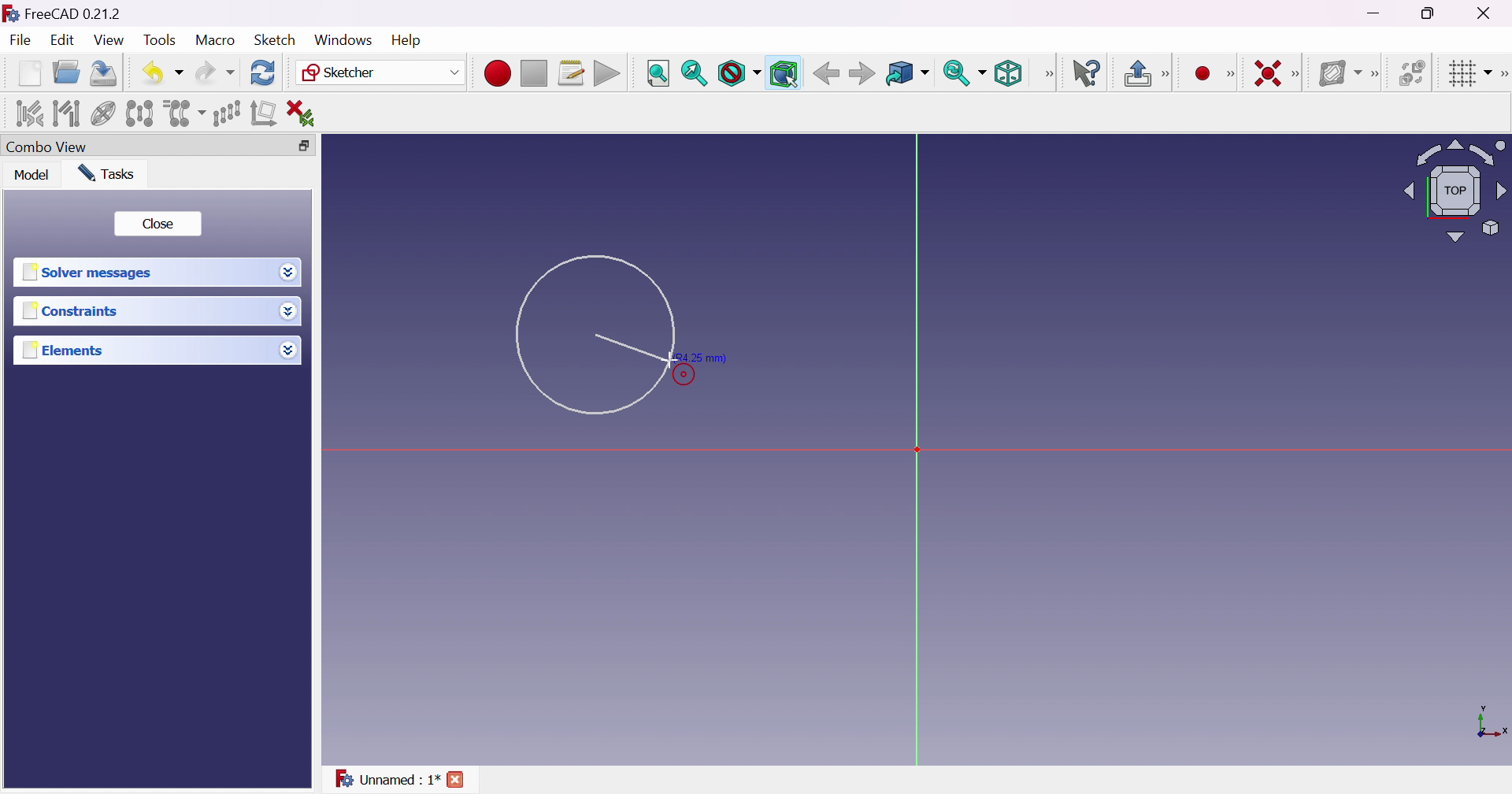 This screenshot has height=794, width=1512. Describe the element at coordinates (825, 73) in the screenshot. I see `Back` at that location.